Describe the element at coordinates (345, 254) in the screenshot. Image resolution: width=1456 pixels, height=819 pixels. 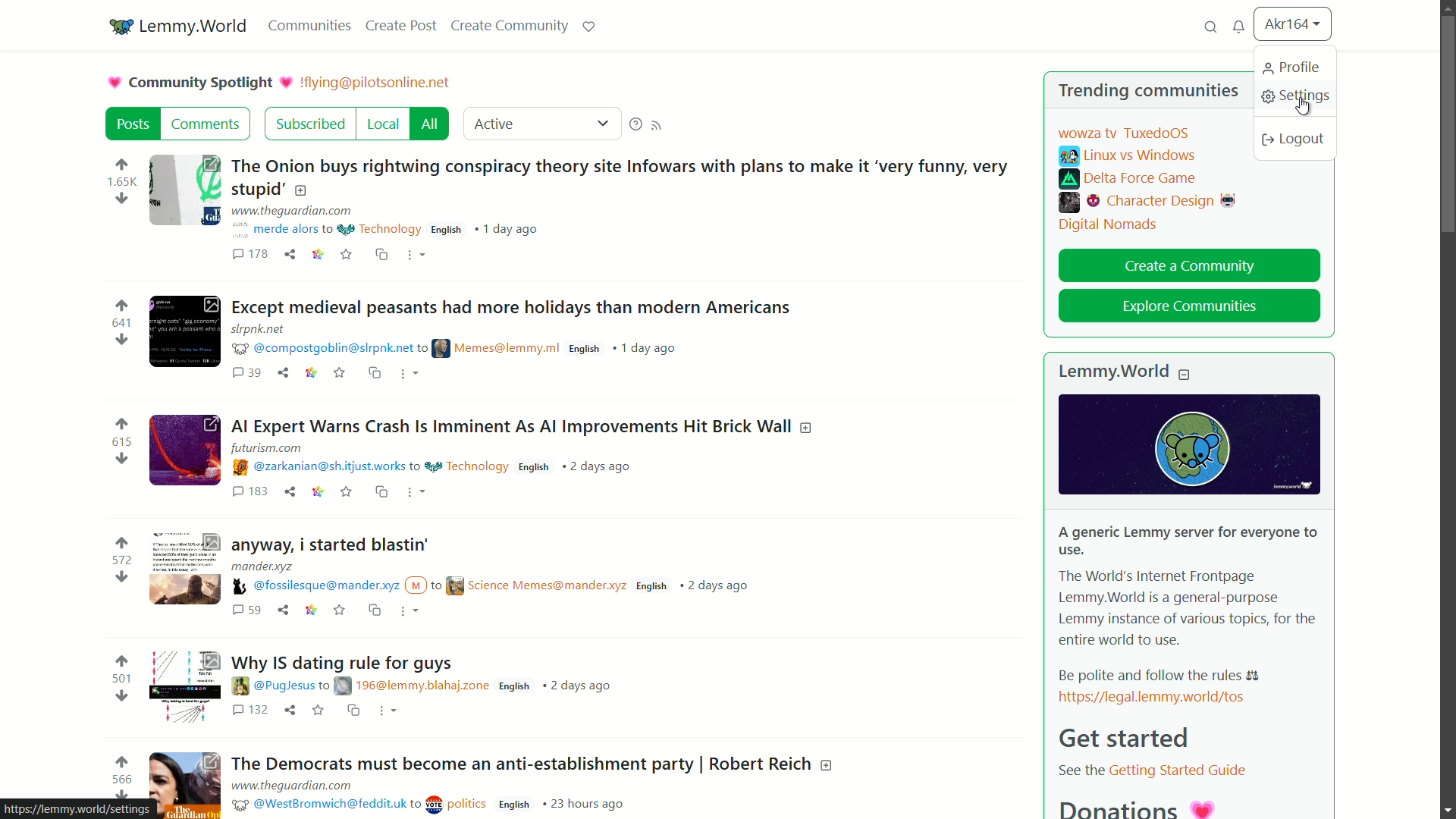
I see `saves` at that location.